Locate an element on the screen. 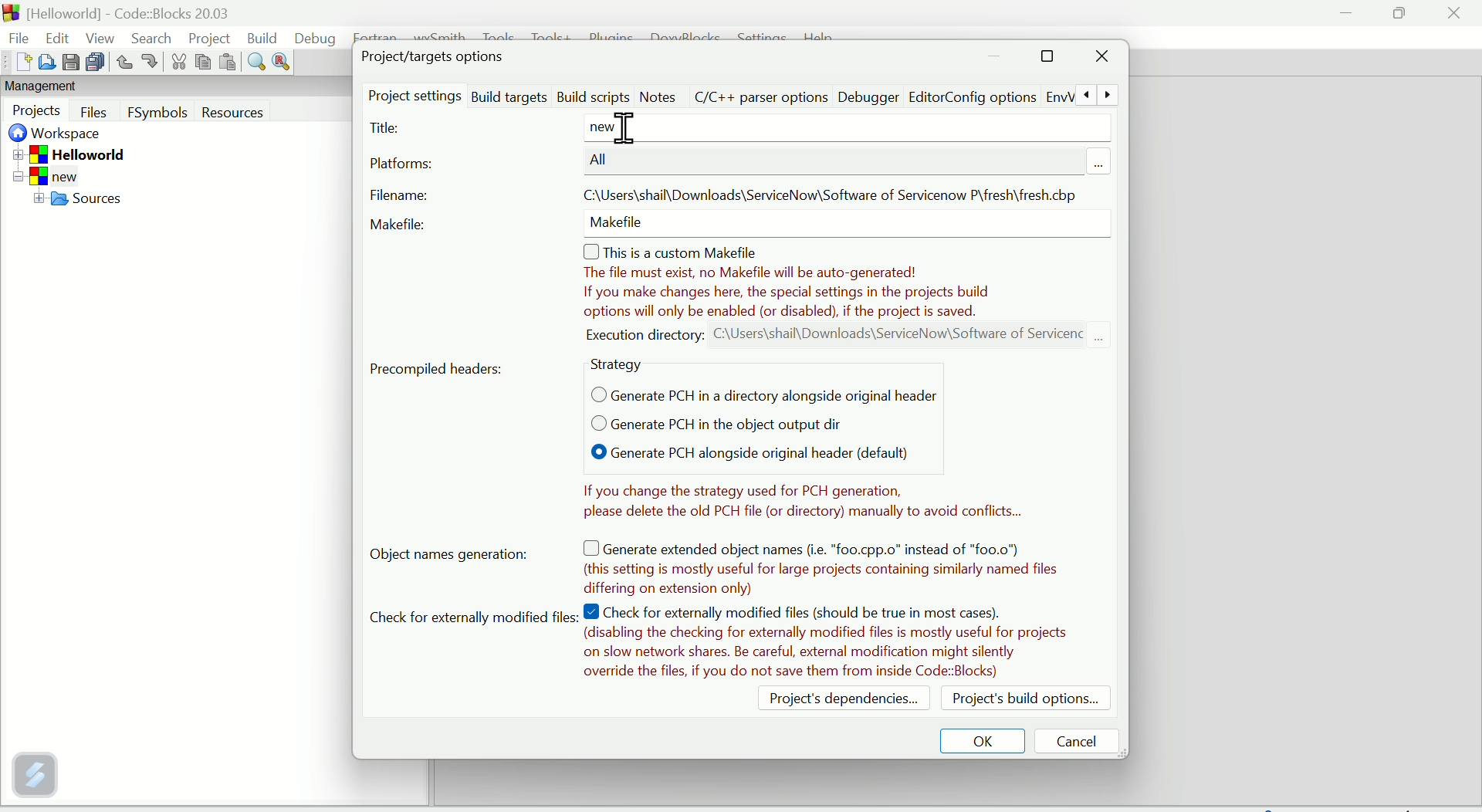 This screenshot has width=1482, height=812. Cursor is located at coordinates (623, 130).